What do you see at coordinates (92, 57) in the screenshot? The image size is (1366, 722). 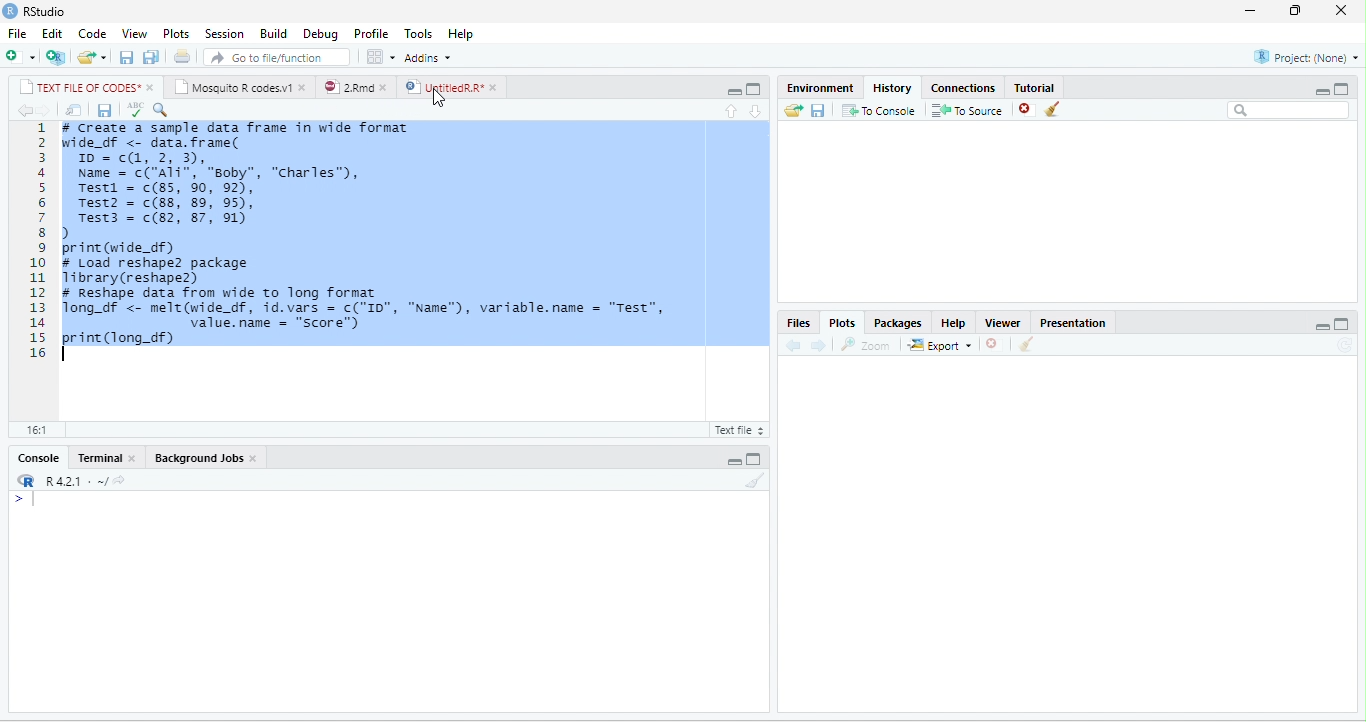 I see `open file` at bounding box center [92, 57].